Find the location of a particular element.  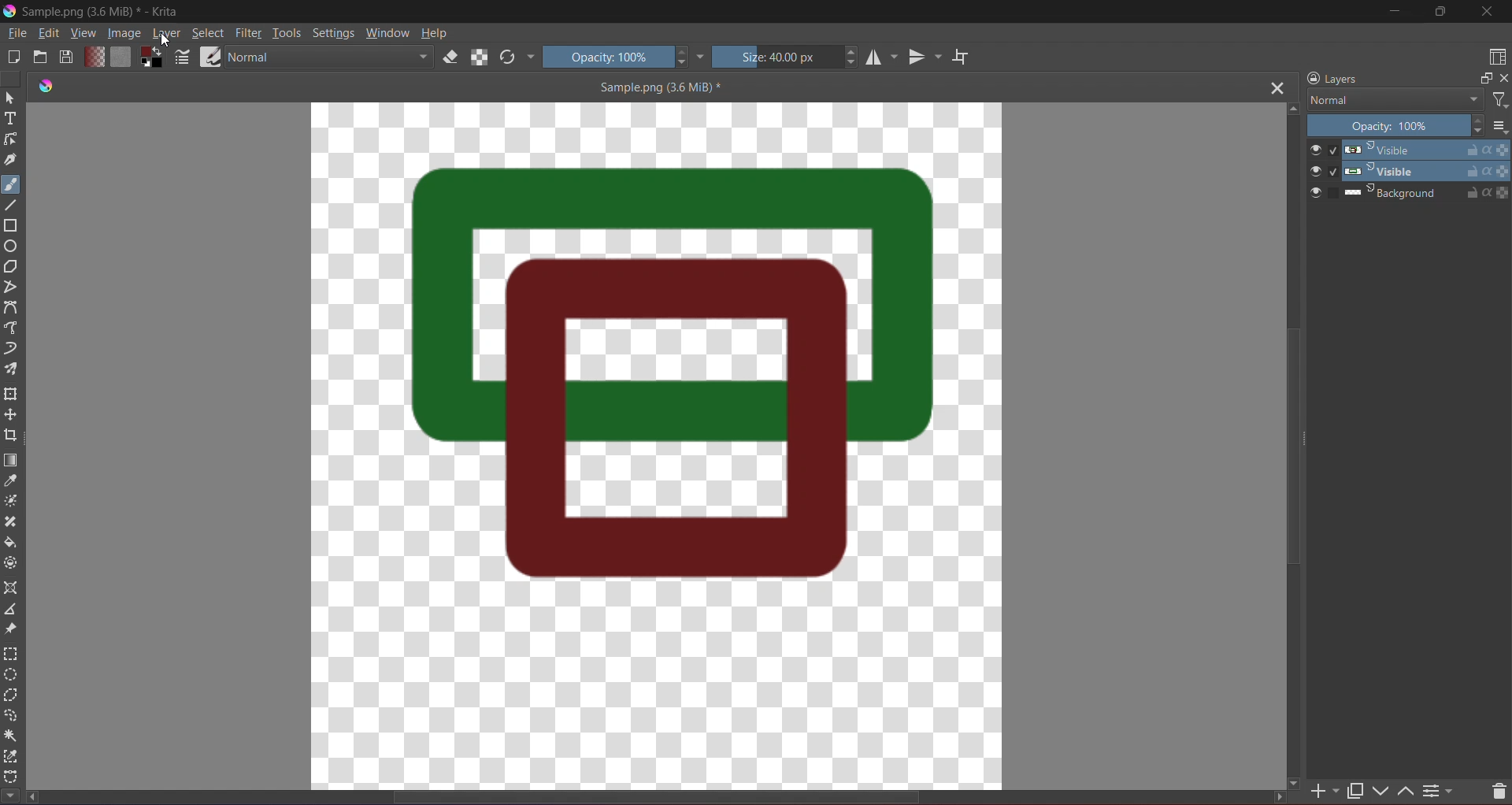

Crop is located at coordinates (11, 436).